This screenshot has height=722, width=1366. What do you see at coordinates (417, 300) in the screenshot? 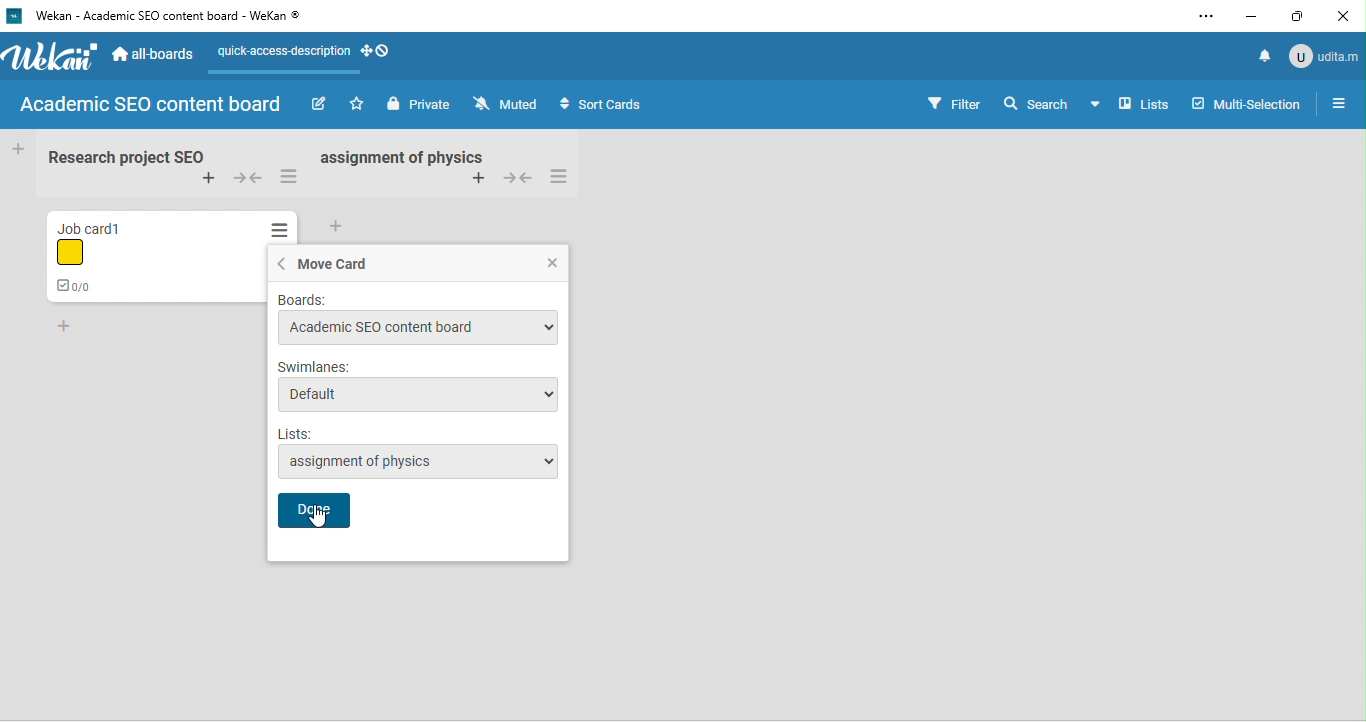
I see `board` at bounding box center [417, 300].